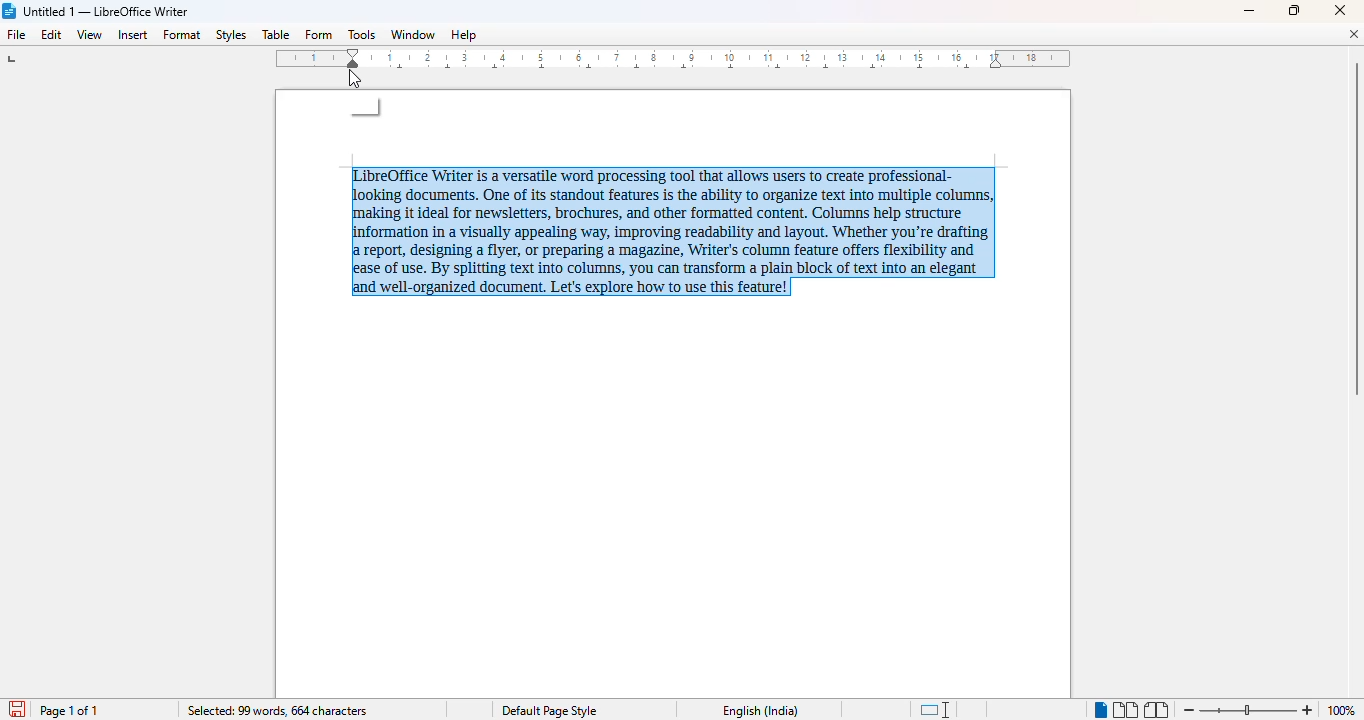 The height and width of the screenshot is (720, 1364). What do you see at coordinates (361, 34) in the screenshot?
I see `tools` at bounding box center [361, 34].